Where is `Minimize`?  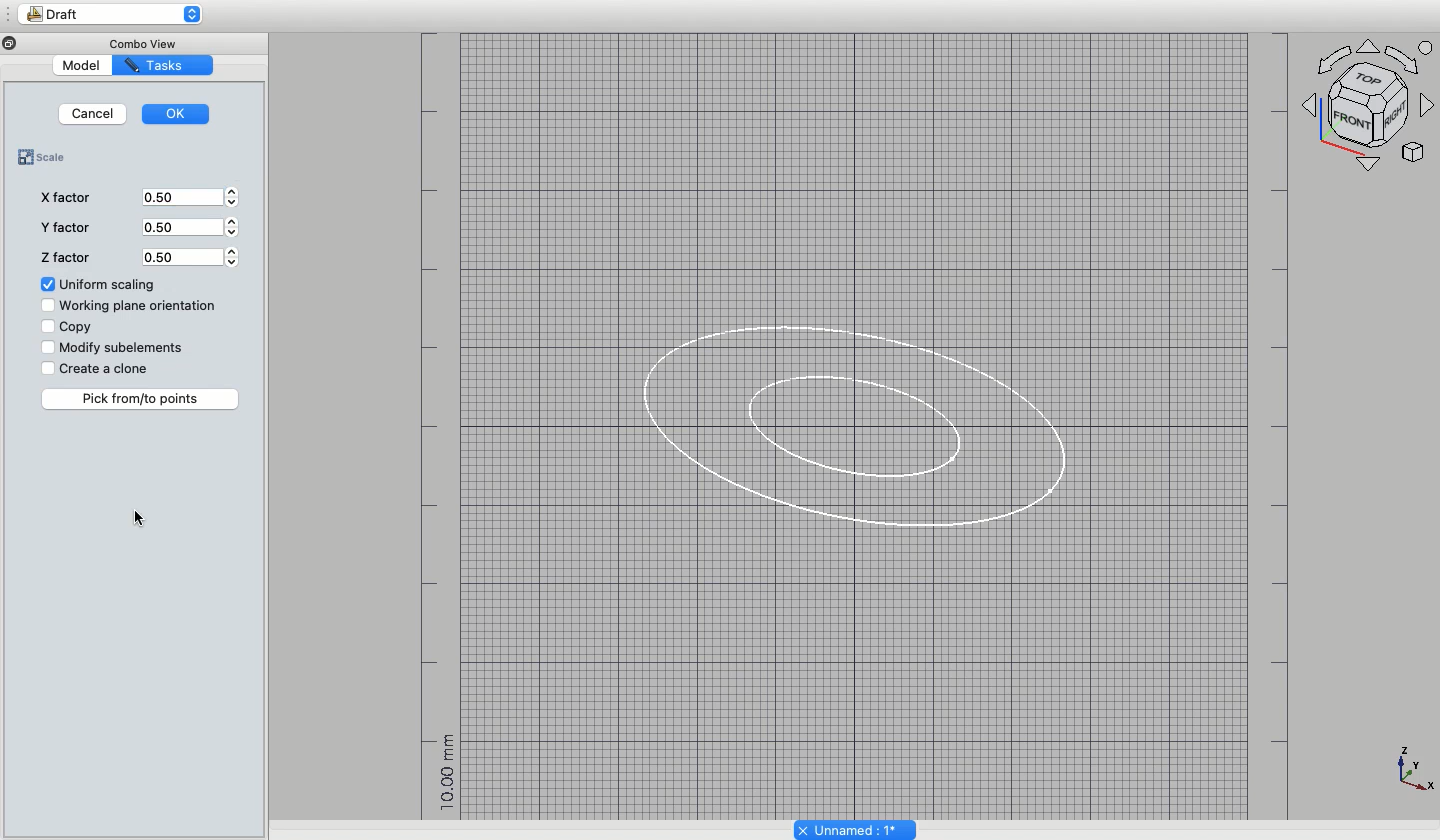 Minimize is located at coordinates (29, 43).